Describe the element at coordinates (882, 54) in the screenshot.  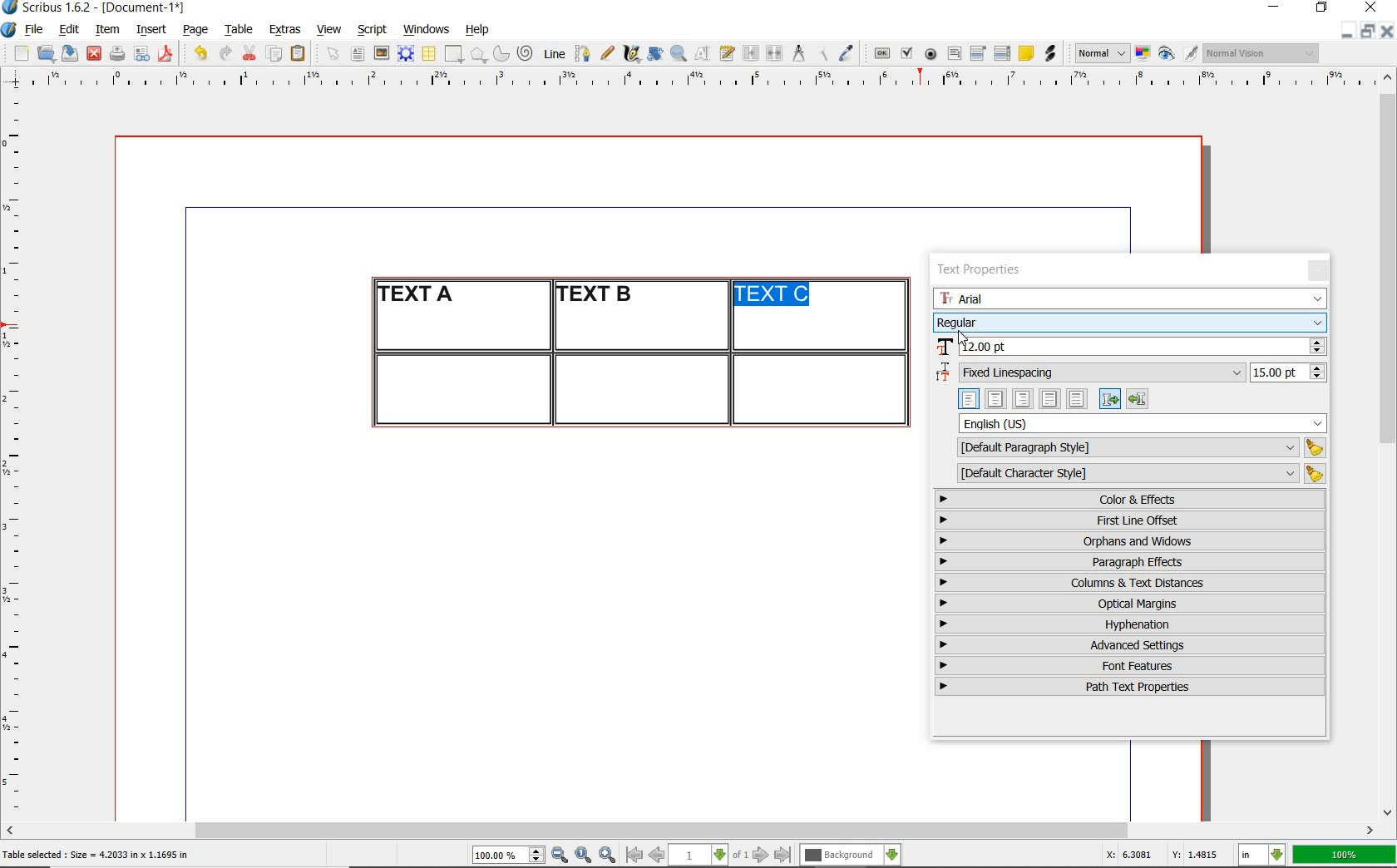
I see `pdf push button` at that location.